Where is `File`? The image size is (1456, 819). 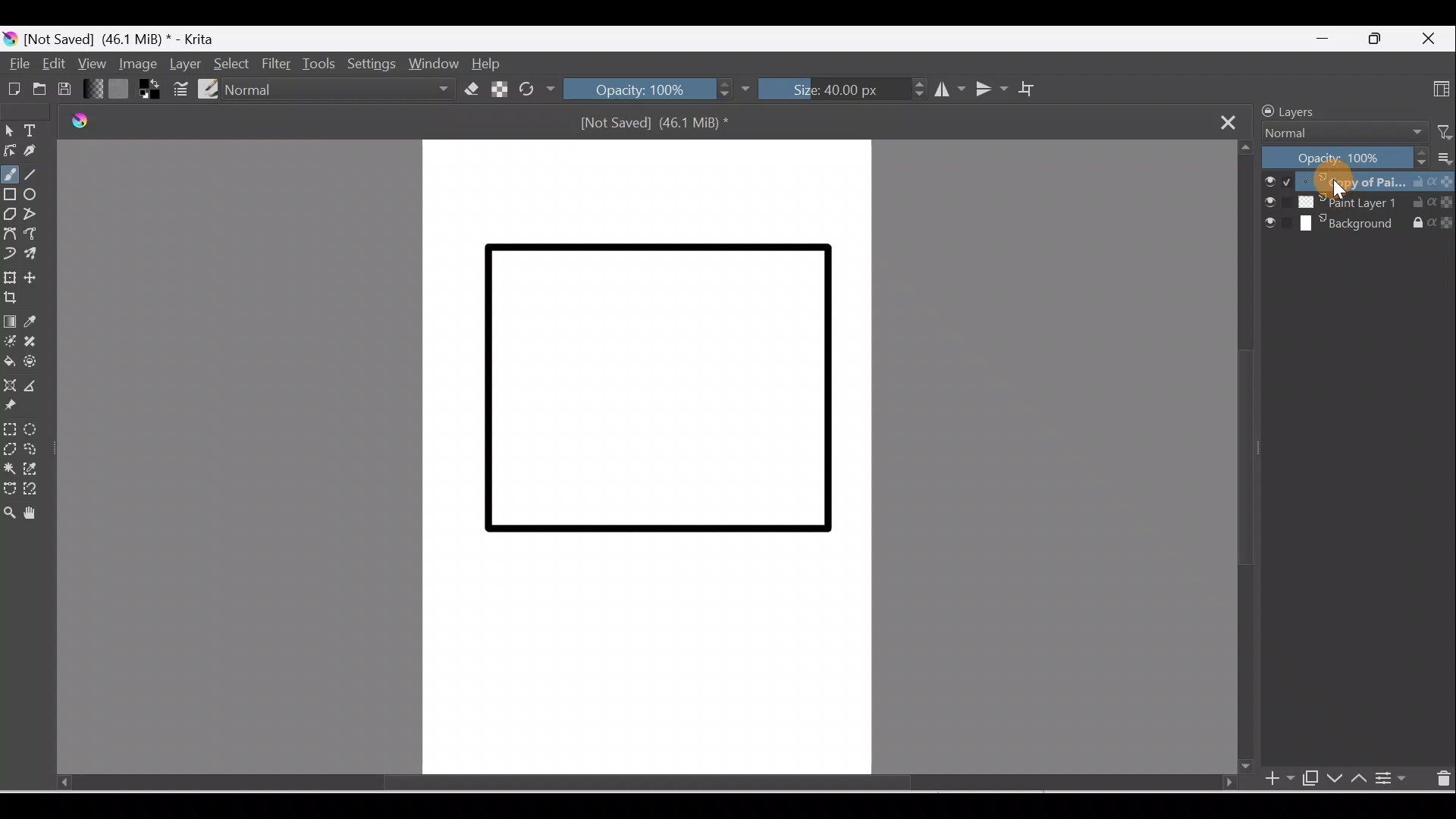
File is located at coordinates (17, 64).